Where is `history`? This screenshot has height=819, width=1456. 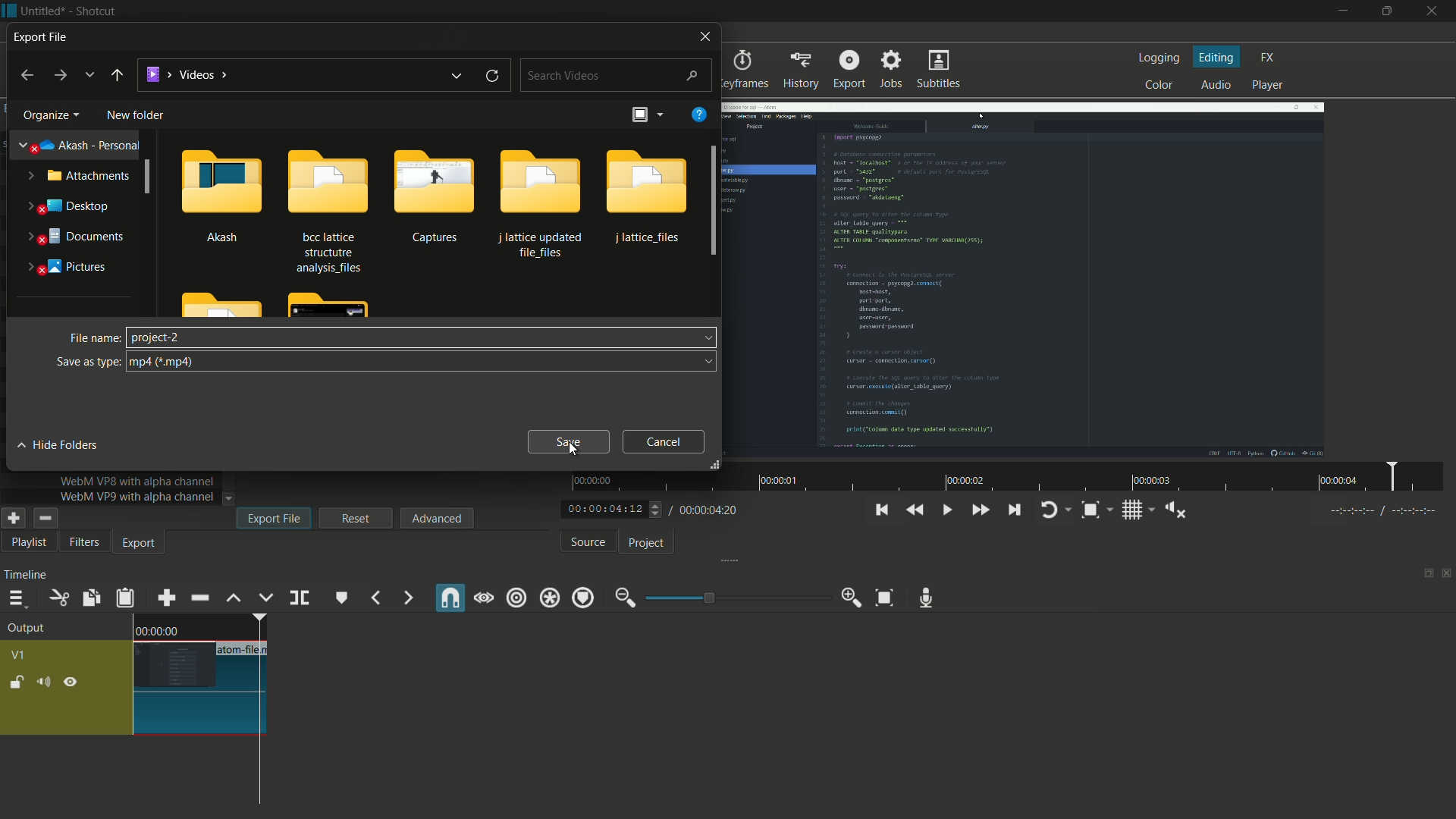 history is located at coordinates (803, 71).